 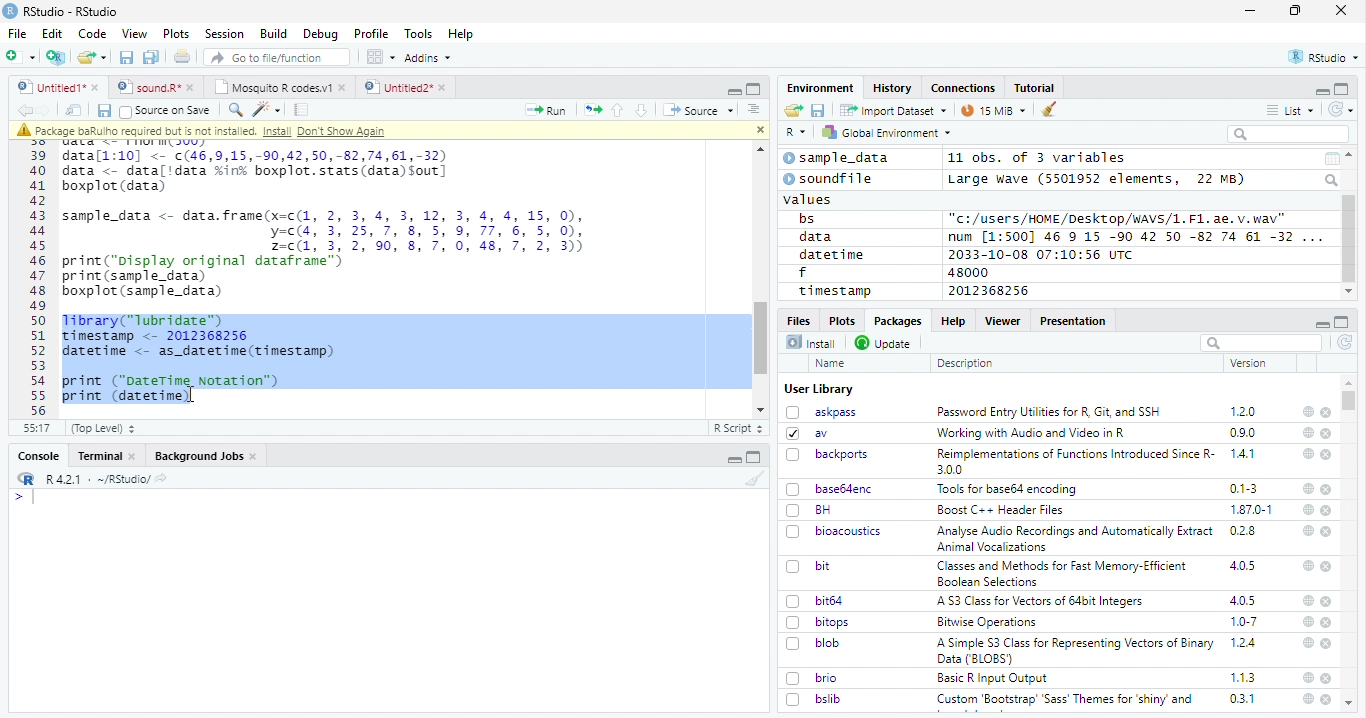 I want to click on File, so click(x=16, y=33).